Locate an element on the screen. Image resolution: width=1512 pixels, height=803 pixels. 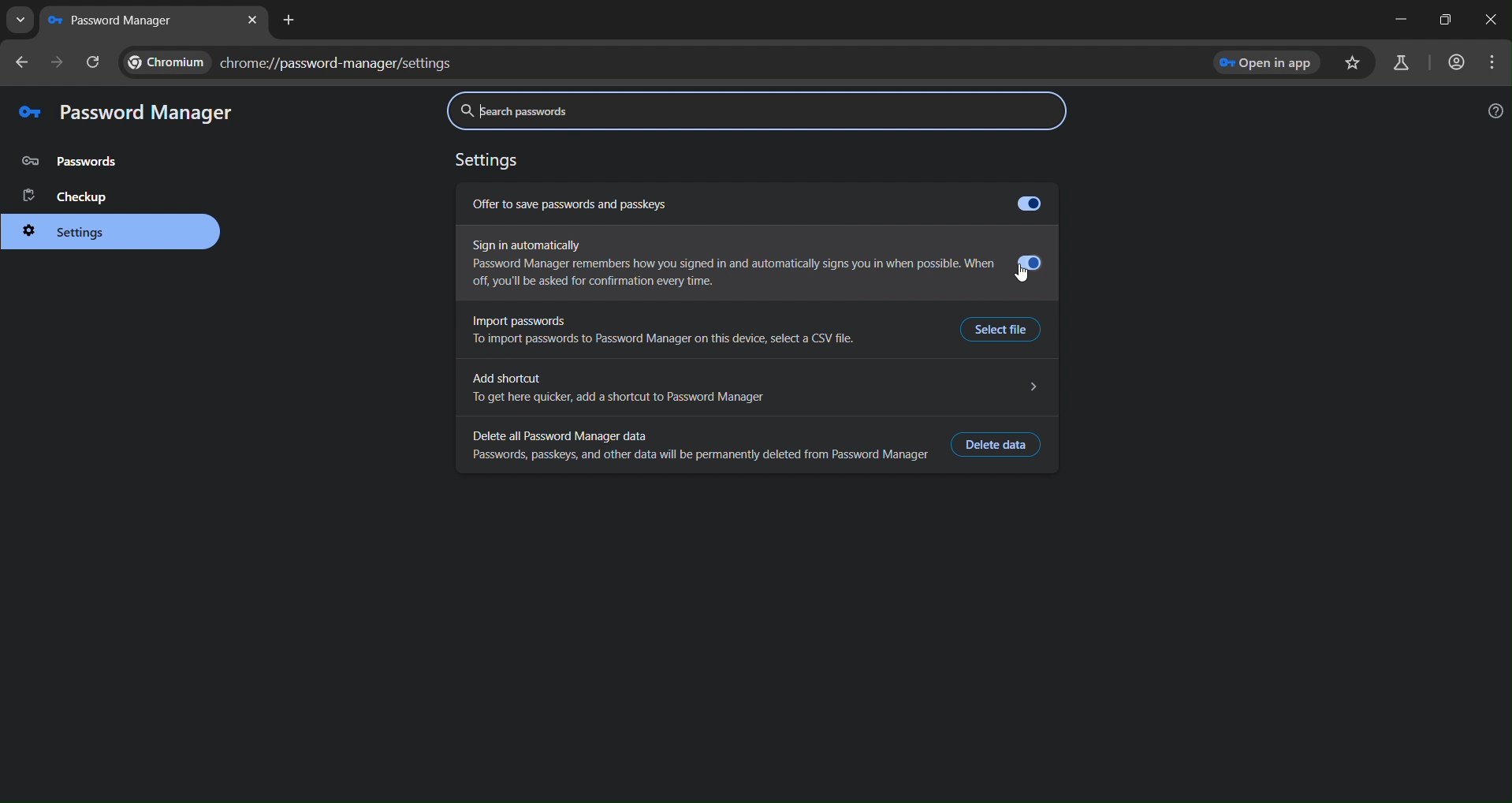
close tab is located at coordinates (254, 20).